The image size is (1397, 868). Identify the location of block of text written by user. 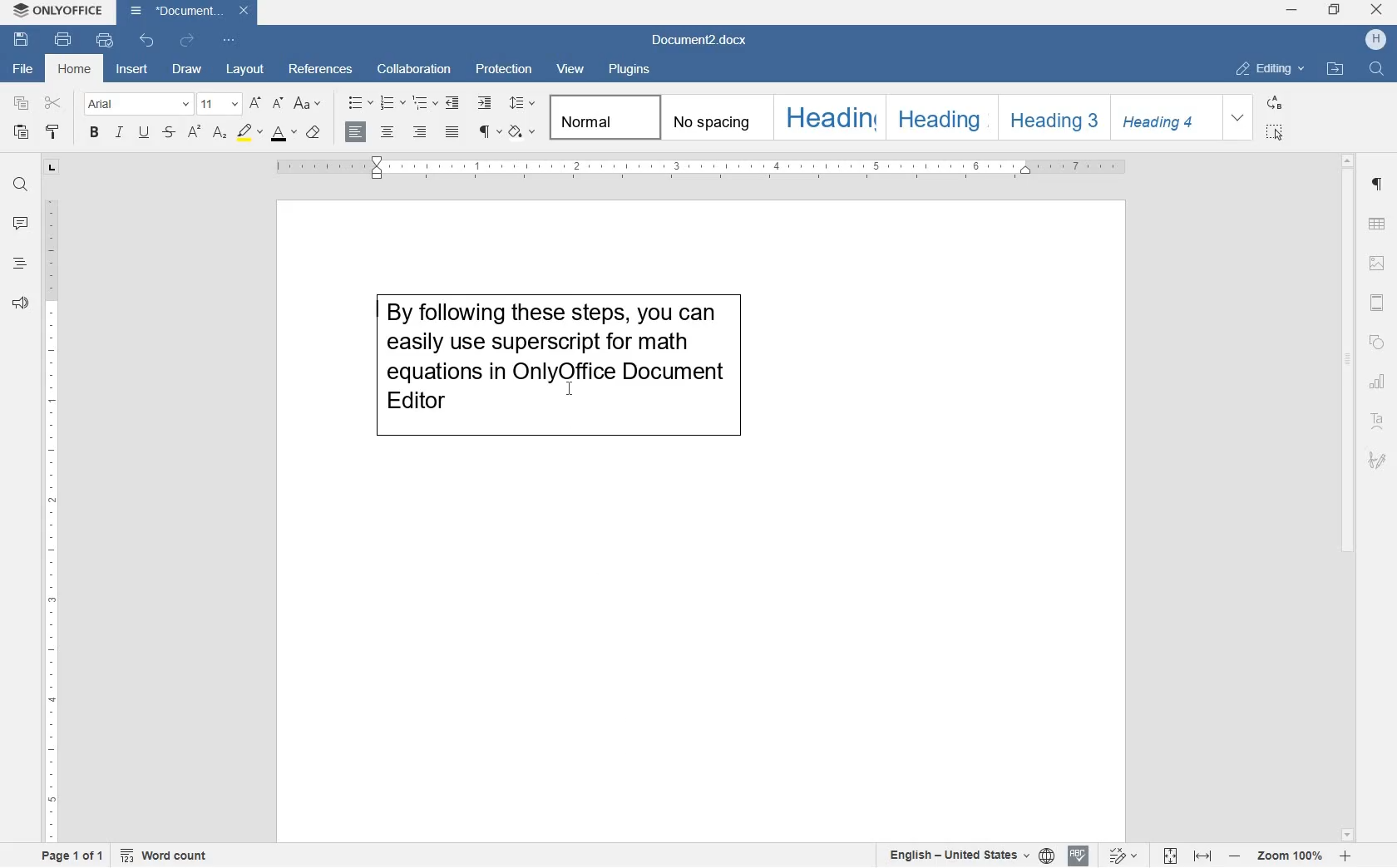
(542, 378).